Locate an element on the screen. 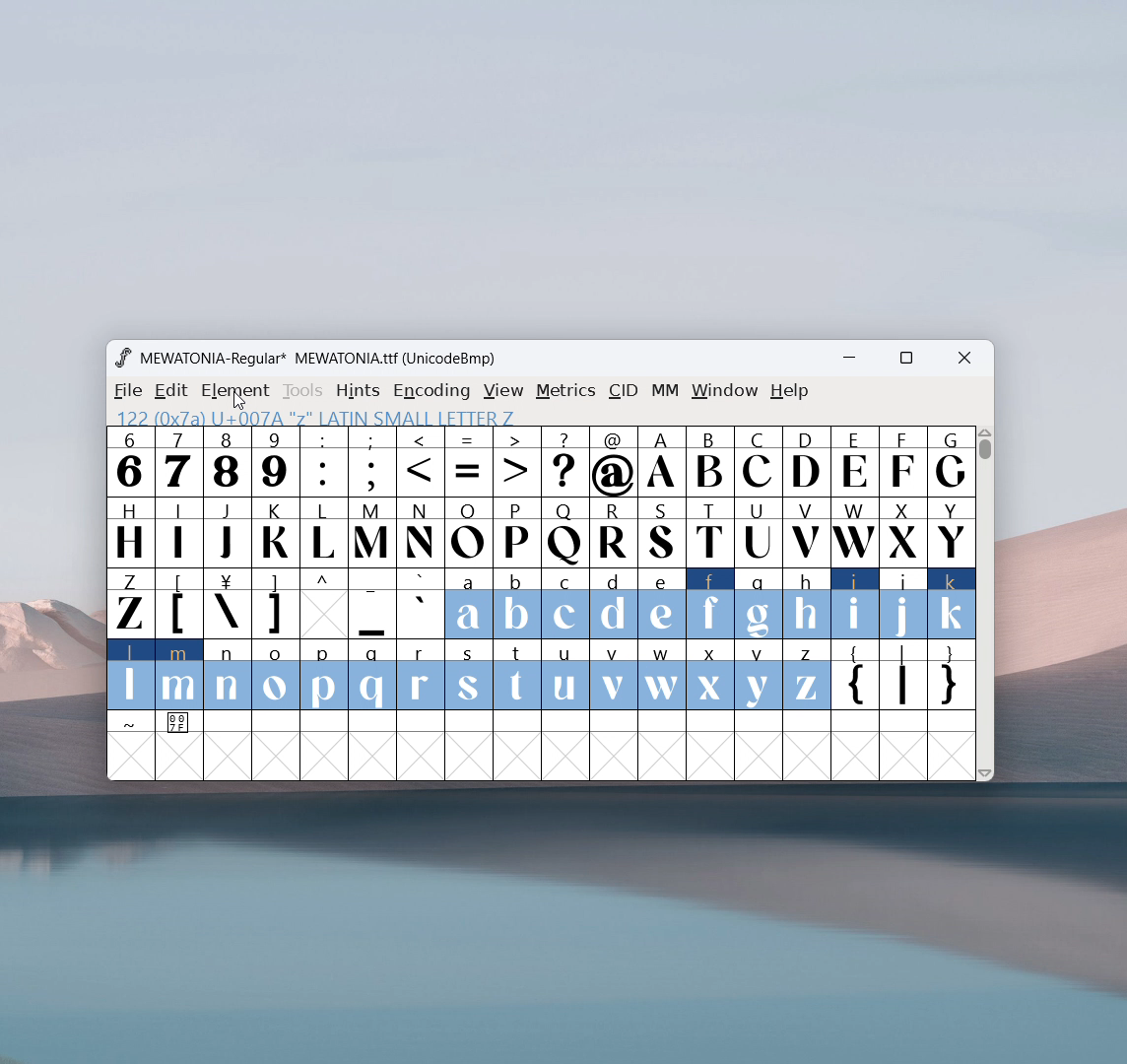 Image resolution: width=1127 pixels, height=1064 pixels. v is located at coordinates (613, 674).